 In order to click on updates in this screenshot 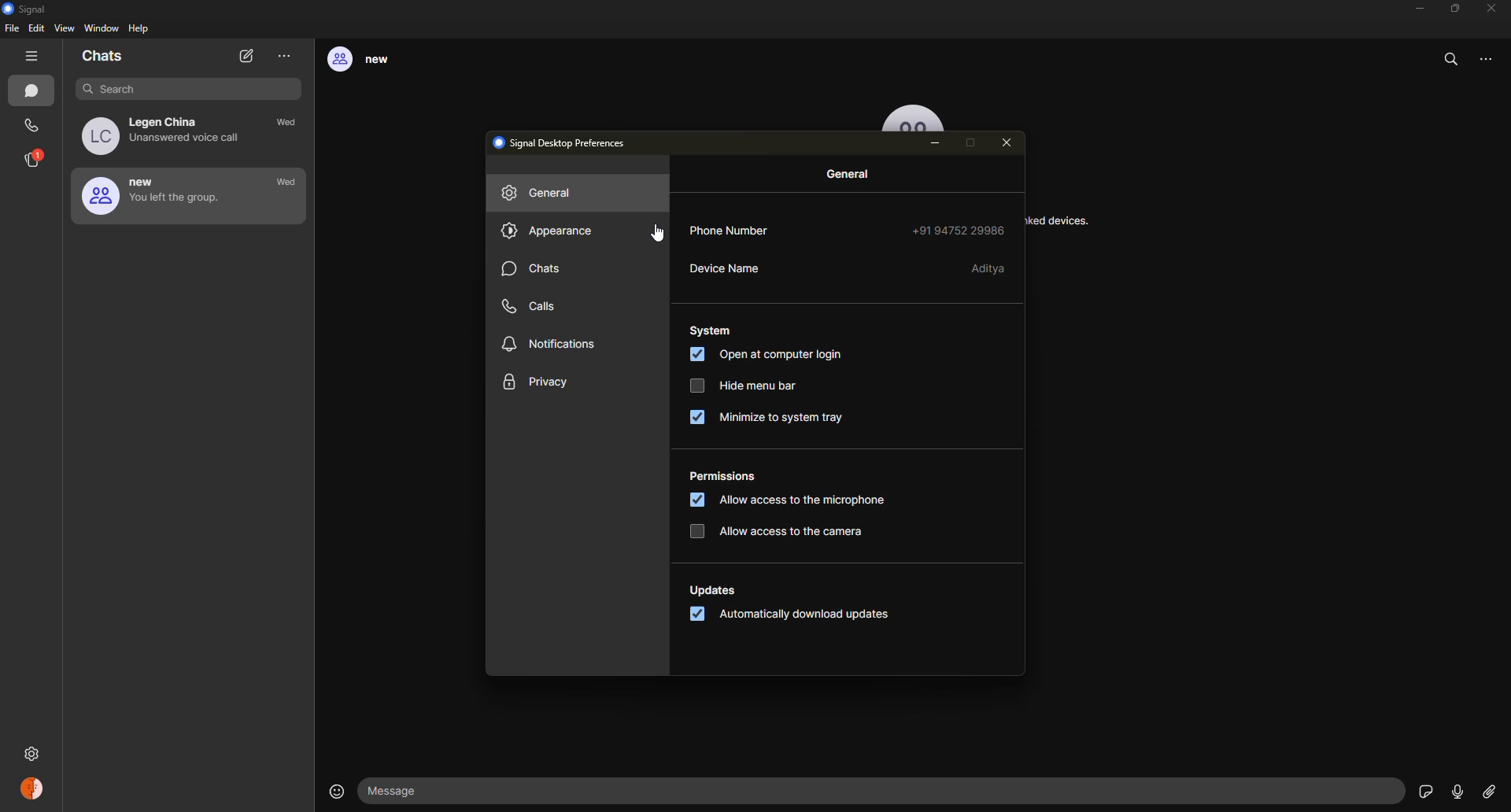, I will do `click(715, 590)`.